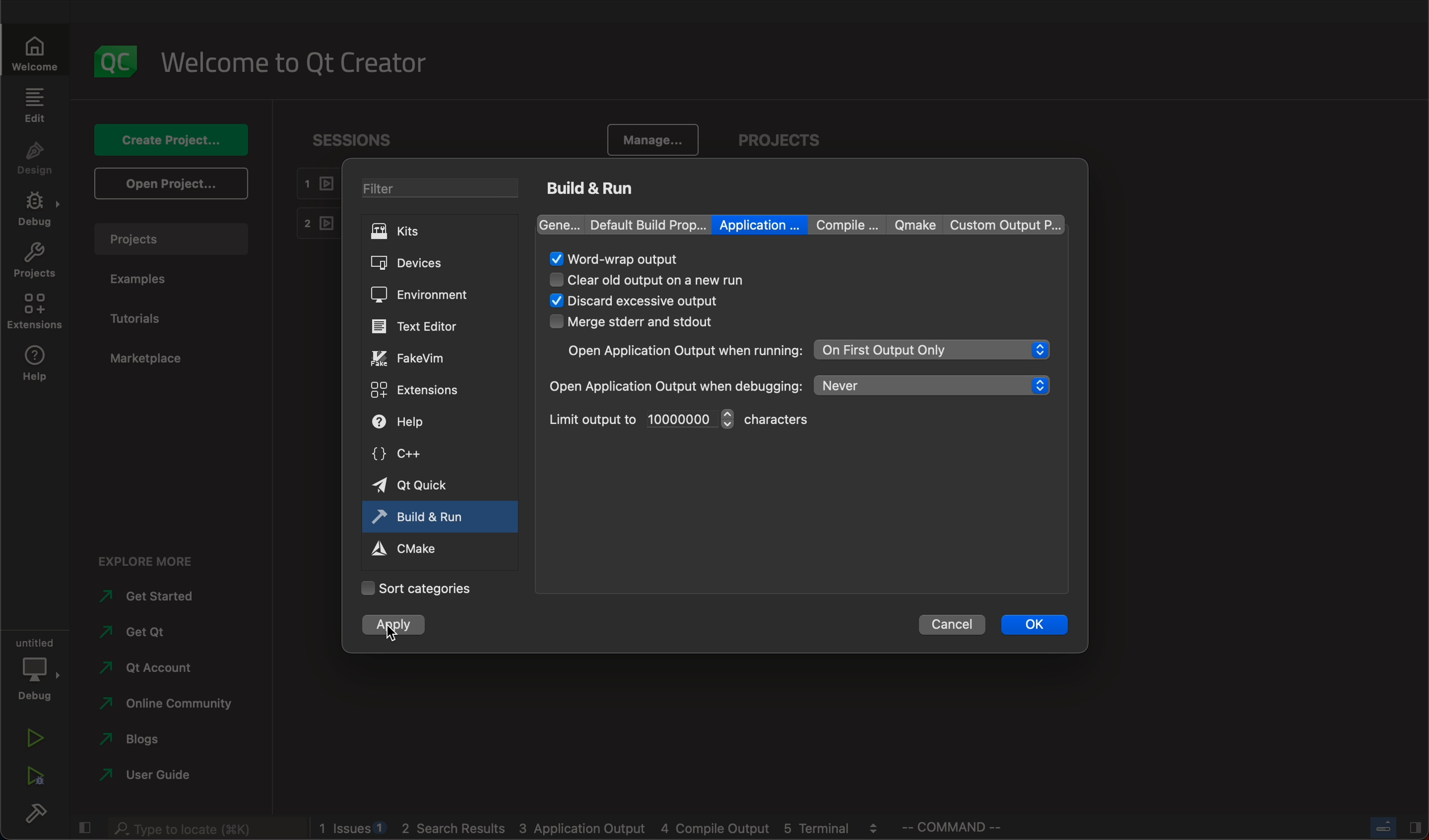 Image resolution: width=1429 pixels, height=840 pixels. What do you see at coordinates (426, 325) in the screenshot?
I see `editor` at bounding box center [426, 325].